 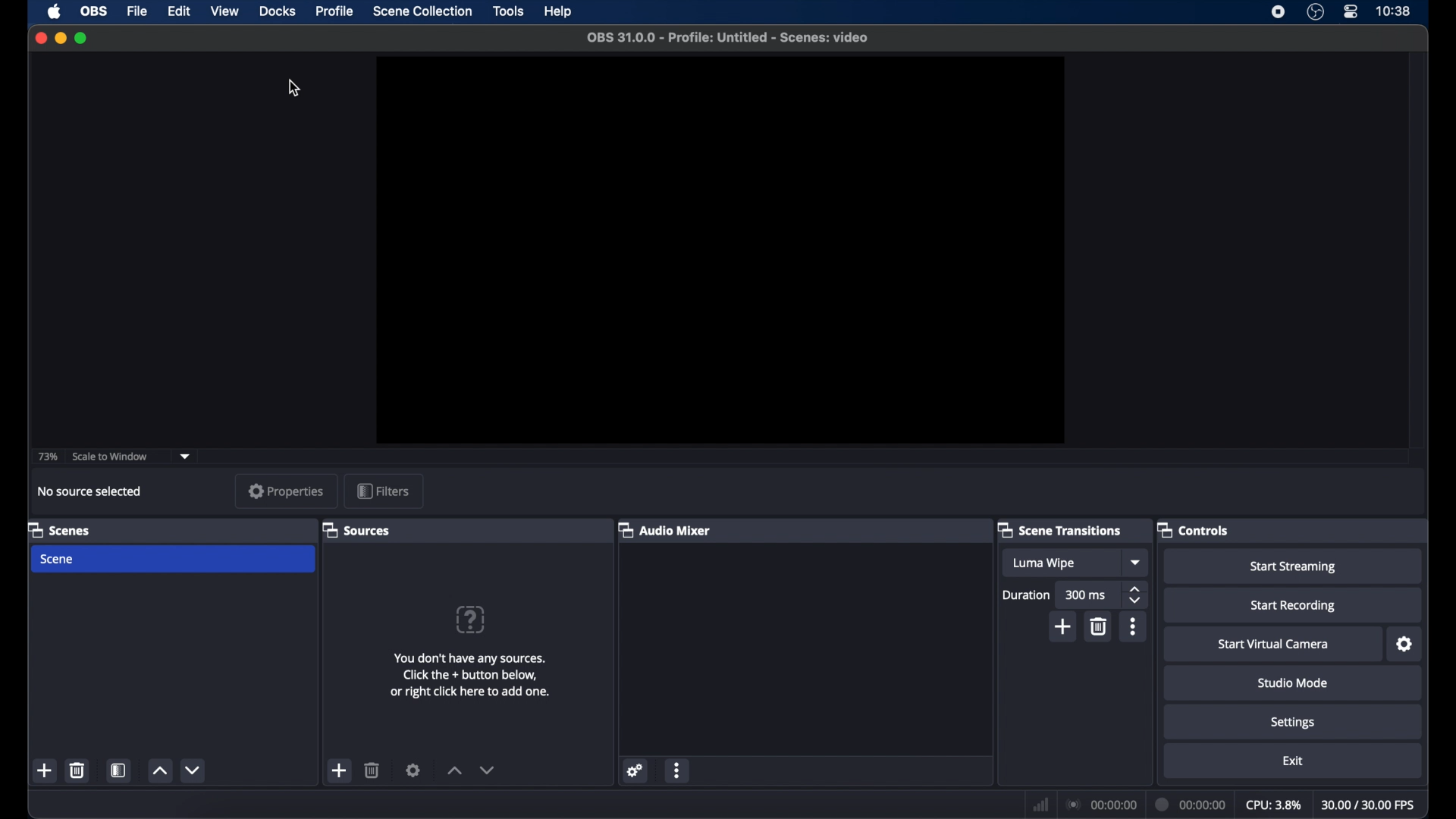 What do you see at coordinates (137, 11) in the screenshot?
I see `file` at bounding box center [137, 11].